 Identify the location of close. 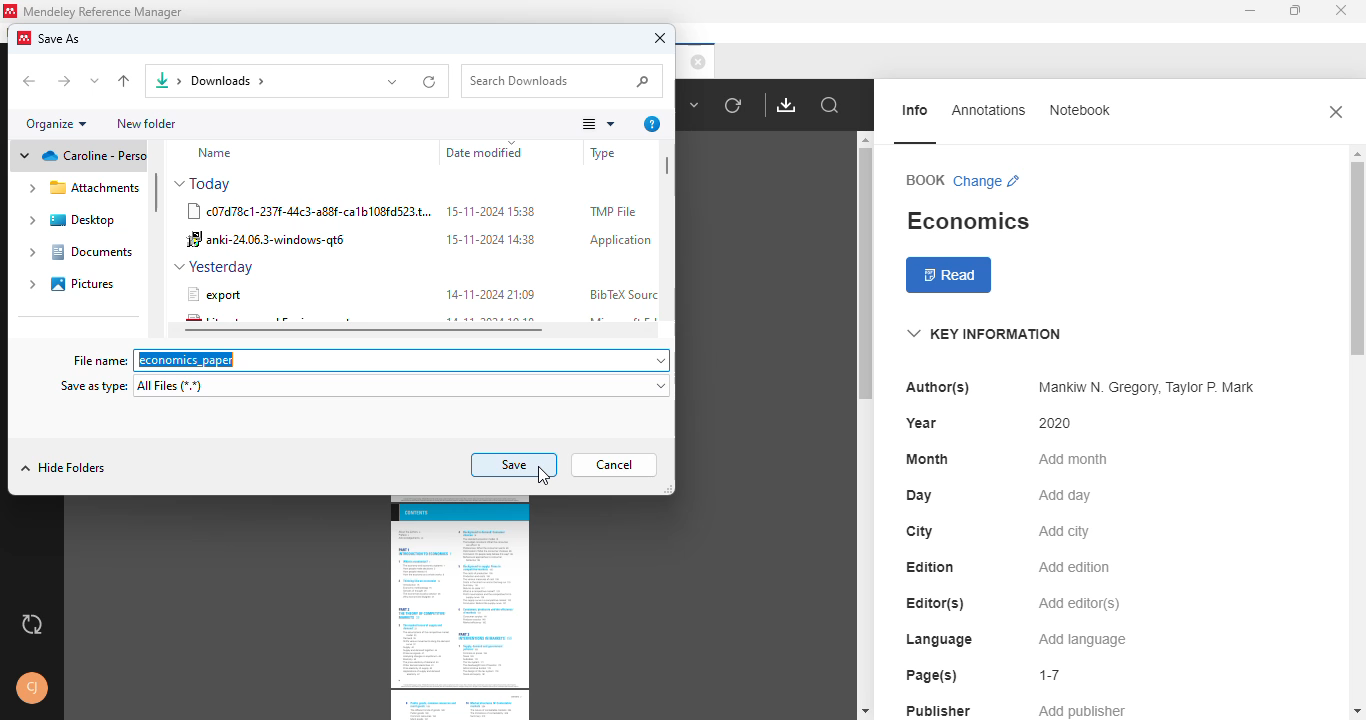
(1342, 11).